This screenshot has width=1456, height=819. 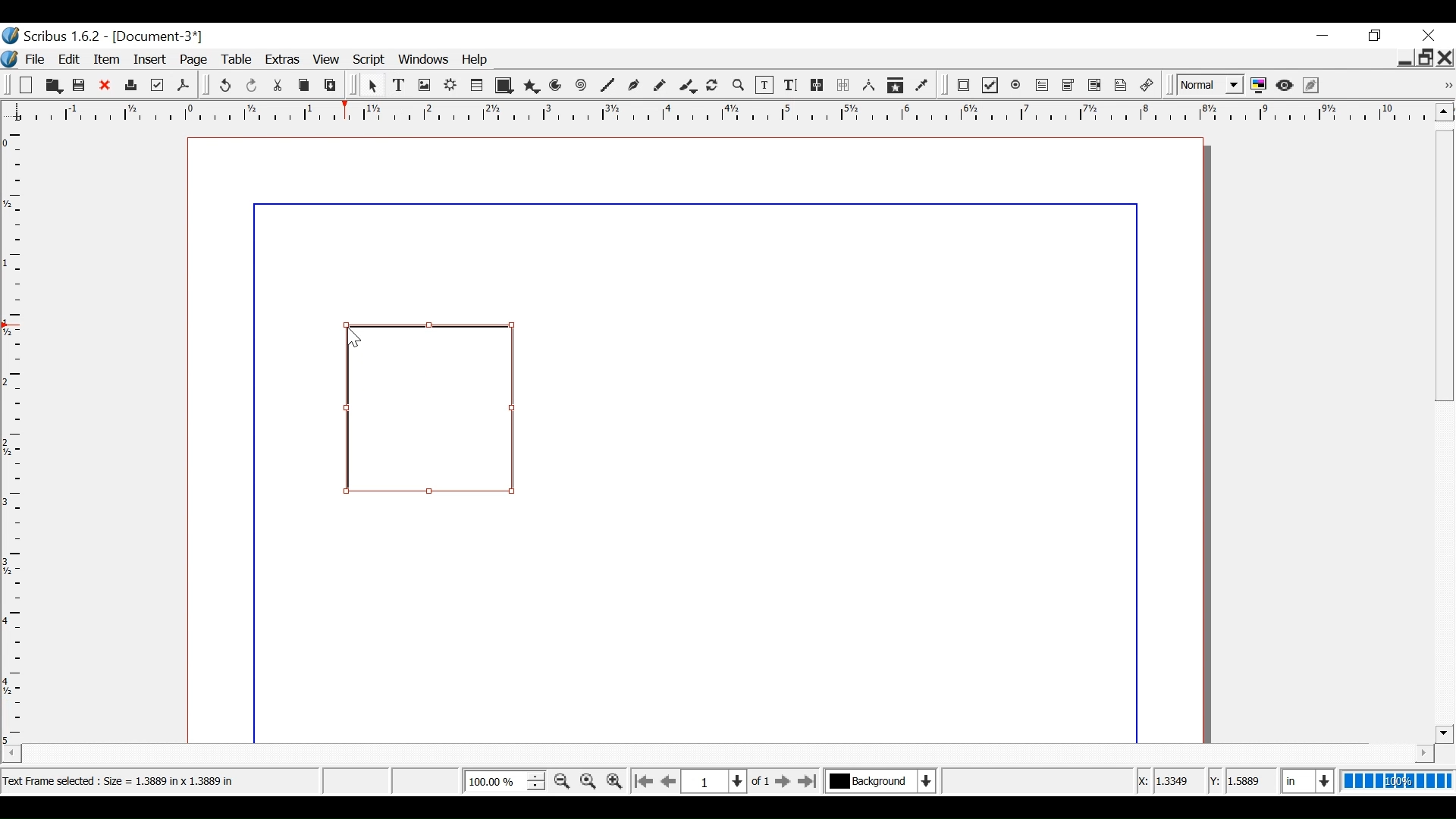 I want to click on Shape , so click(x=506, y=86).